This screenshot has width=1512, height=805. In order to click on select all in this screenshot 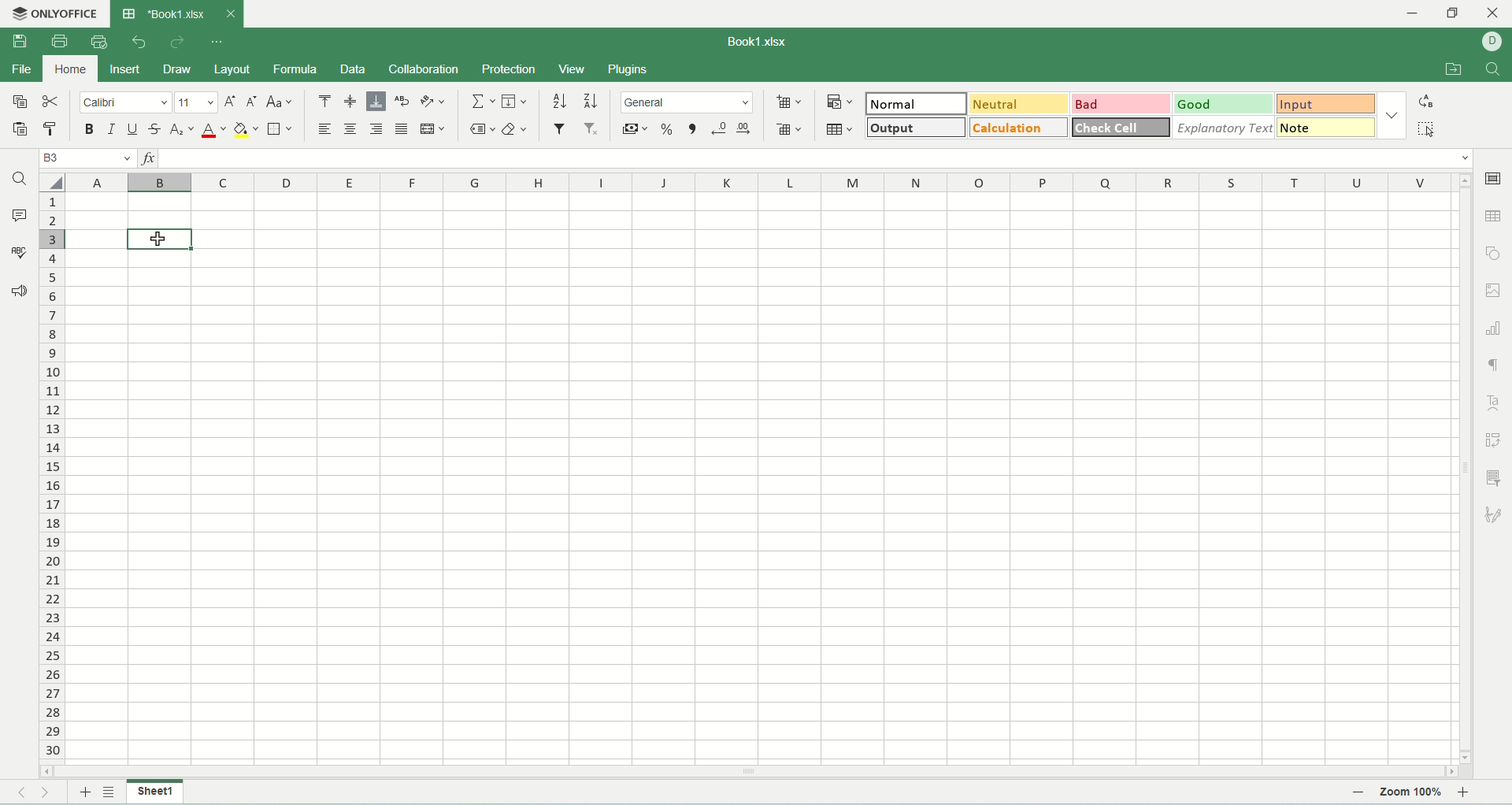, I will do `click(1431, 129)`.